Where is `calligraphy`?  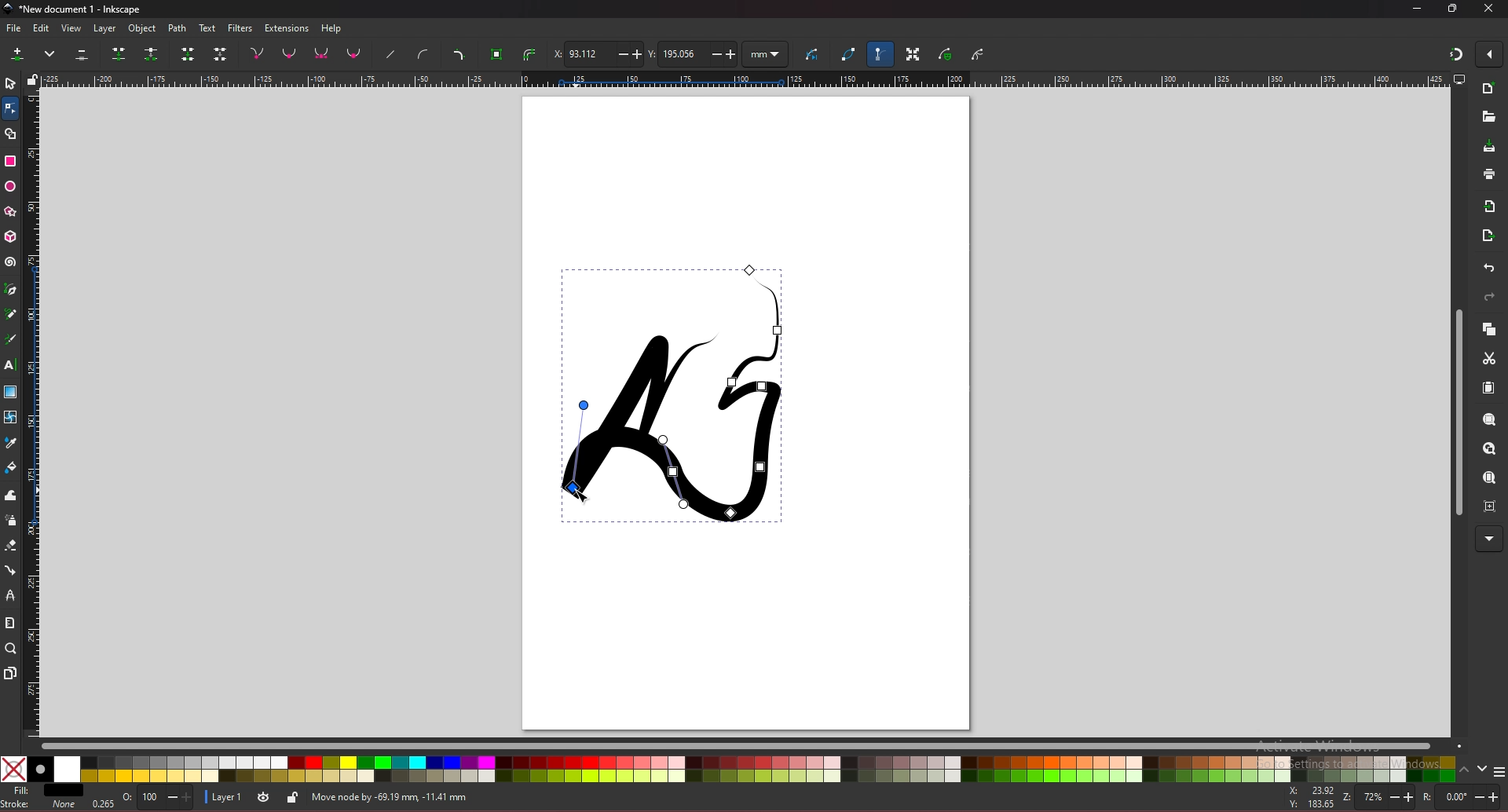 calligraphy is located at coordinates (10, 339).